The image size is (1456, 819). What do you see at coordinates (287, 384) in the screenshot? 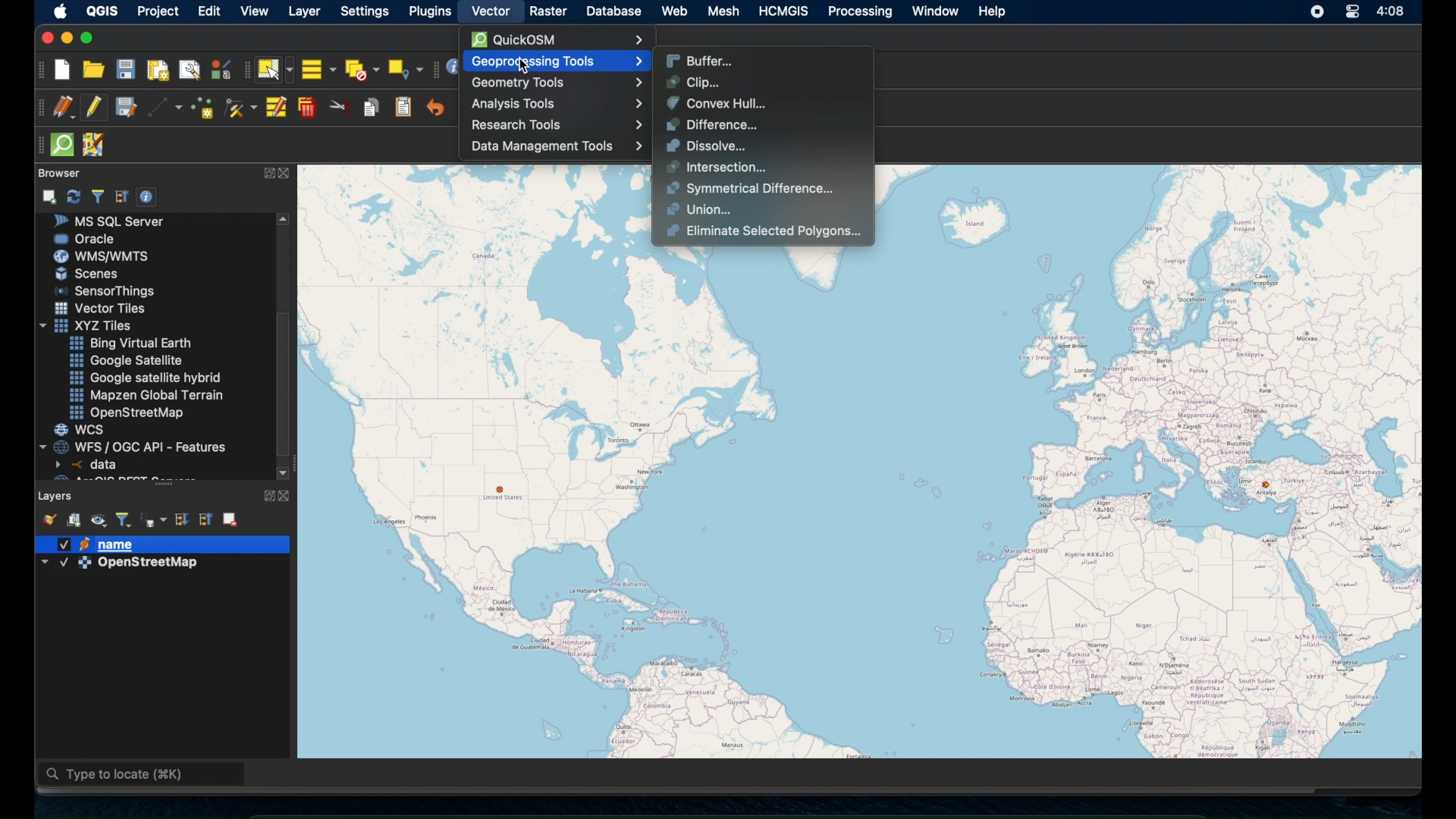
I see `scroll box` at bounding box center [287, 384].